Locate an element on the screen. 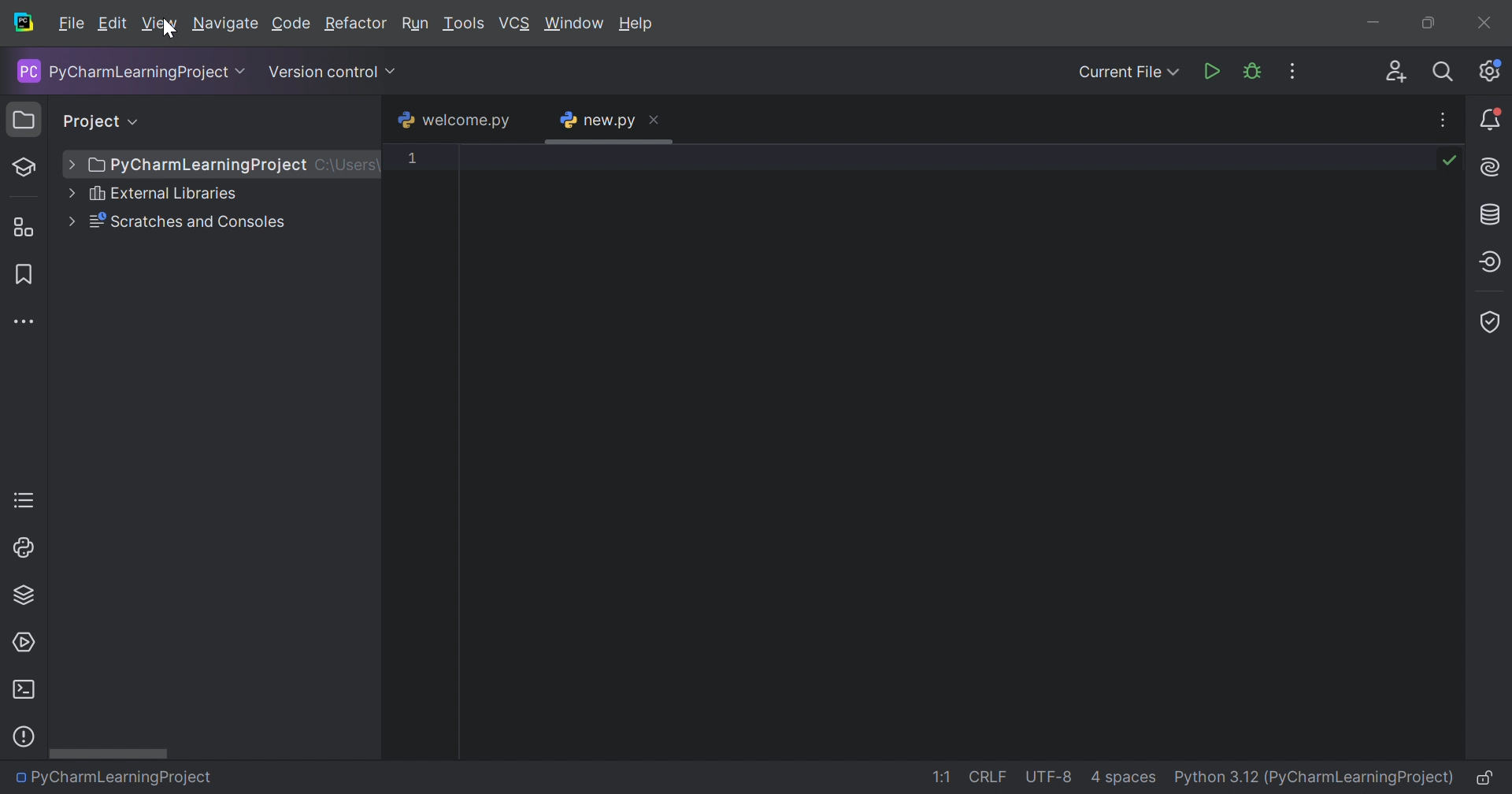 The image size is (1512, 794). 4 spaces is located at coordinates (1124, 777).